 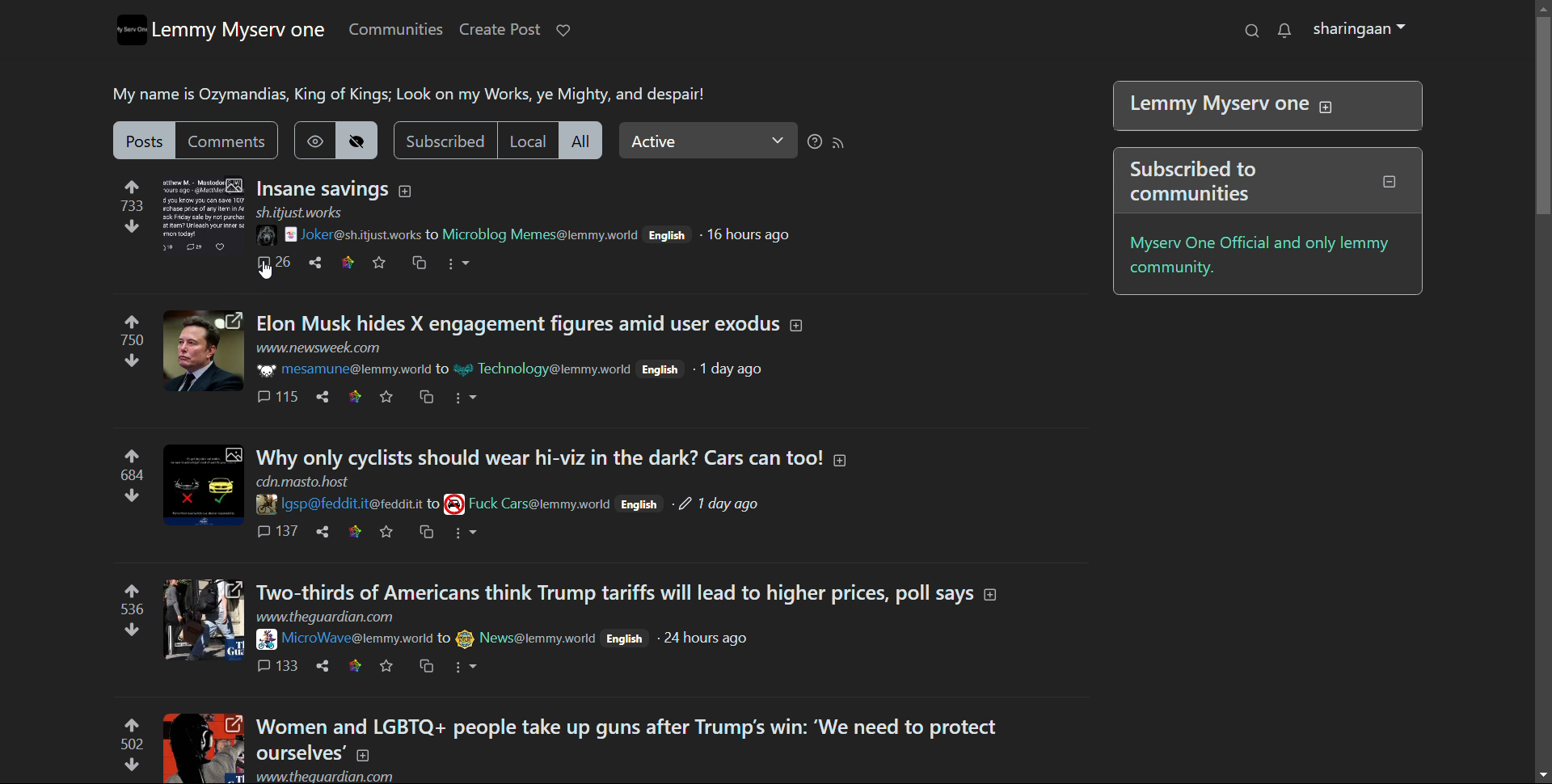 I want to click on logo, so click(x=133, y=30).